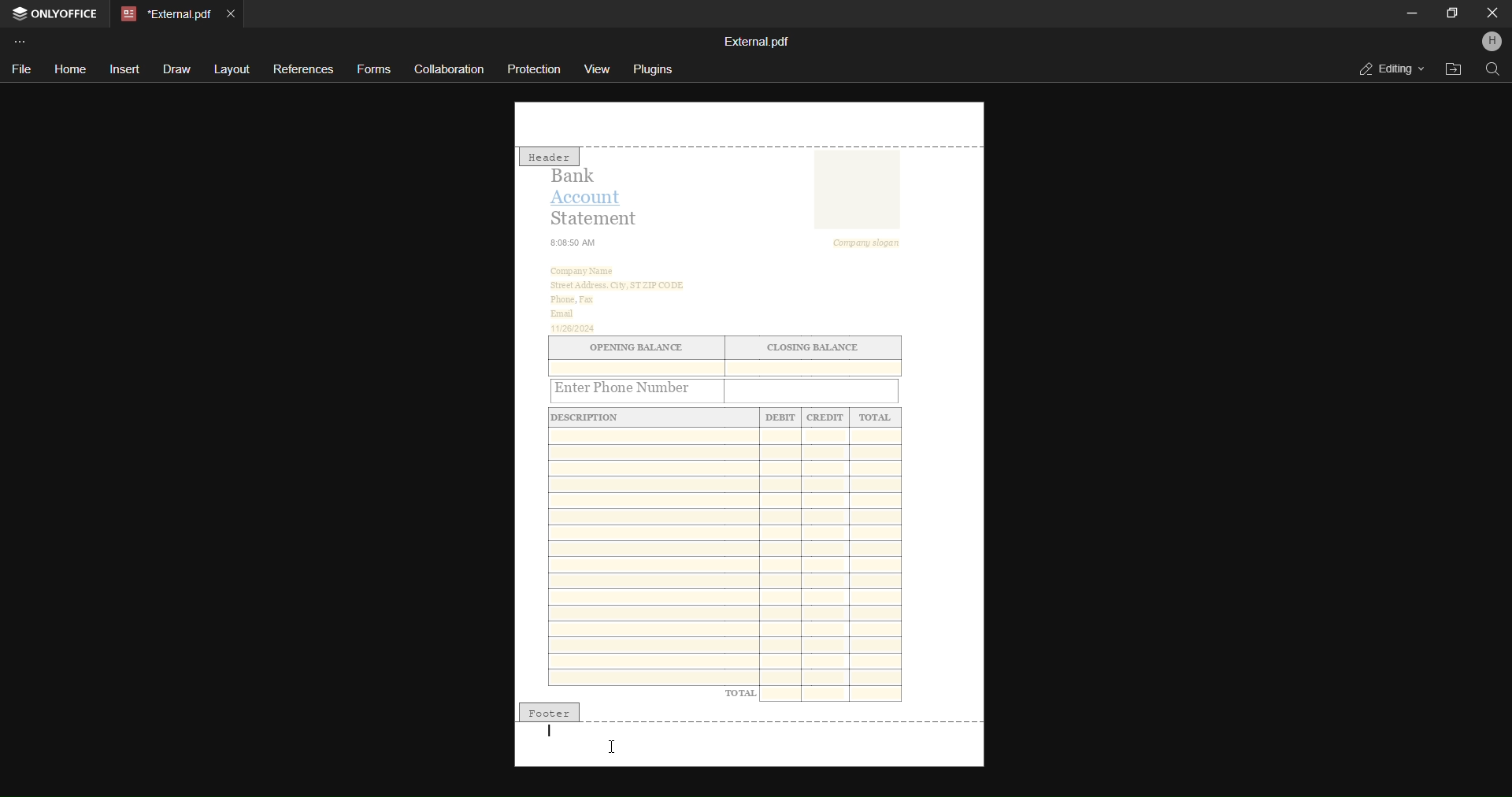 The width and height of the screenshot is (1512, 797). Describe the element at coordinates (757, 40) in the screenshot. I see `file name` at that location.